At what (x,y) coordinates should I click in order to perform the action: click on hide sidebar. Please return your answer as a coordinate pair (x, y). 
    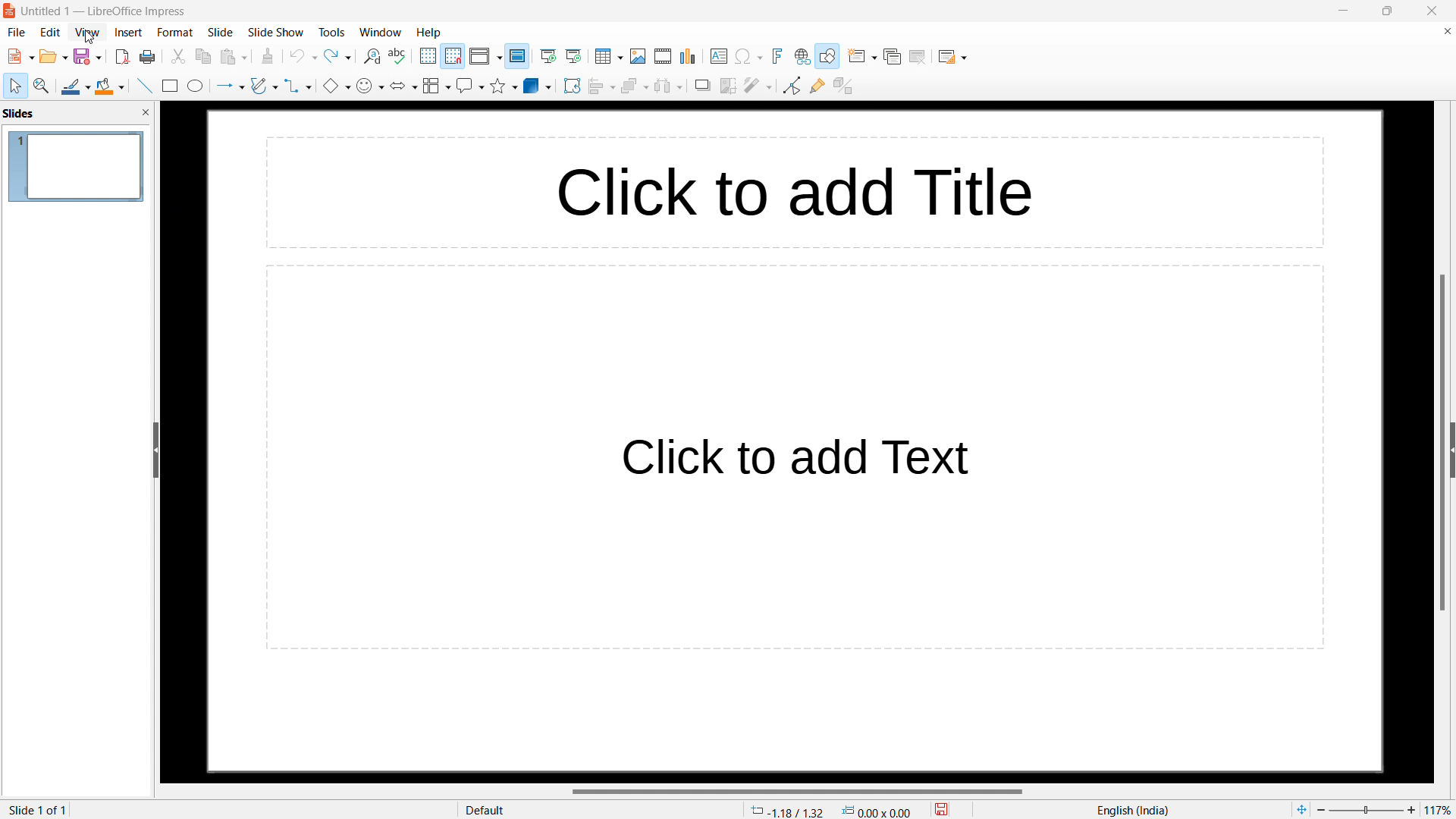
    Looking at the image, I should click on (155, 450).